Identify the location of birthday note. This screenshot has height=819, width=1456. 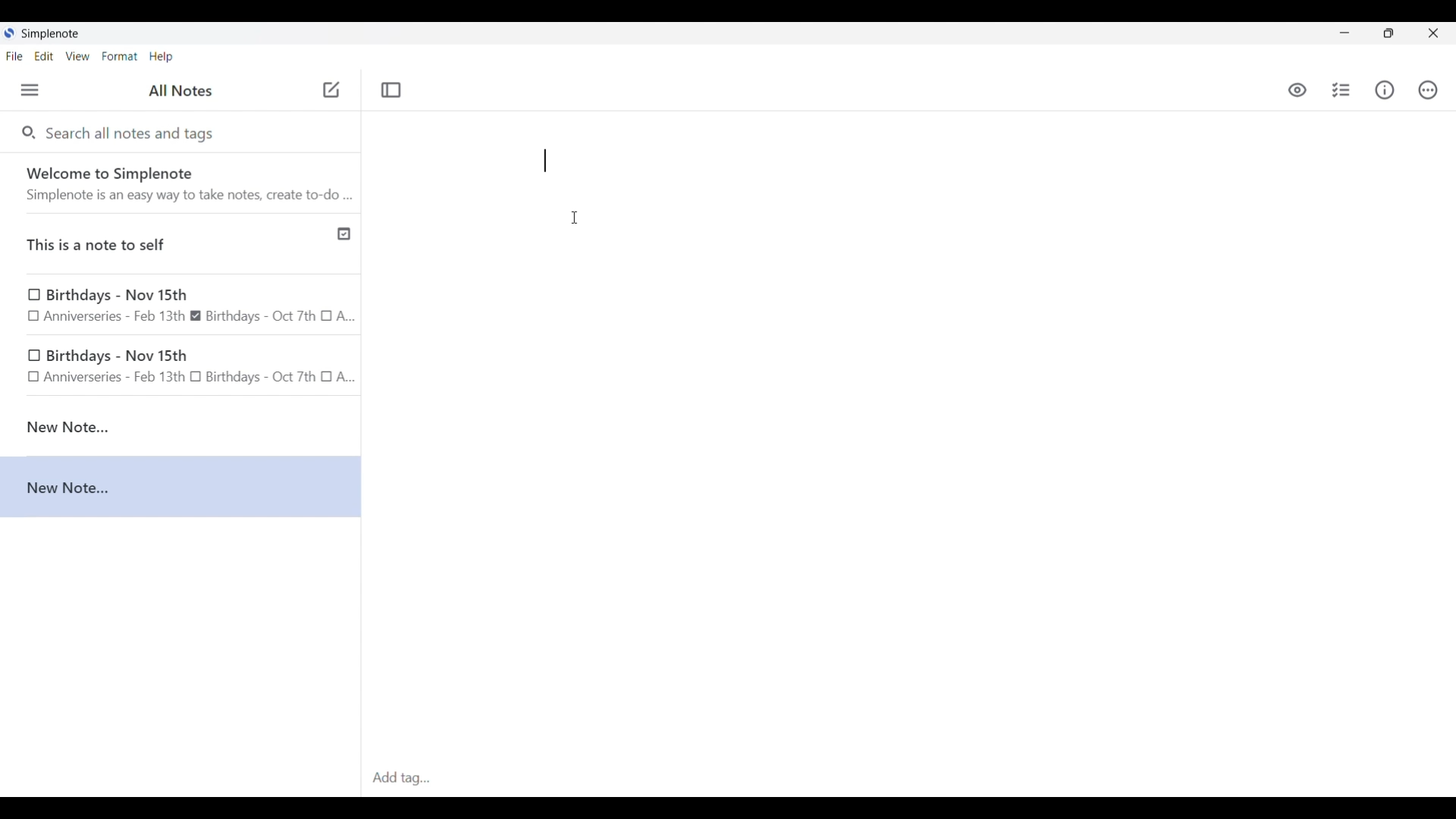
(182, 369).